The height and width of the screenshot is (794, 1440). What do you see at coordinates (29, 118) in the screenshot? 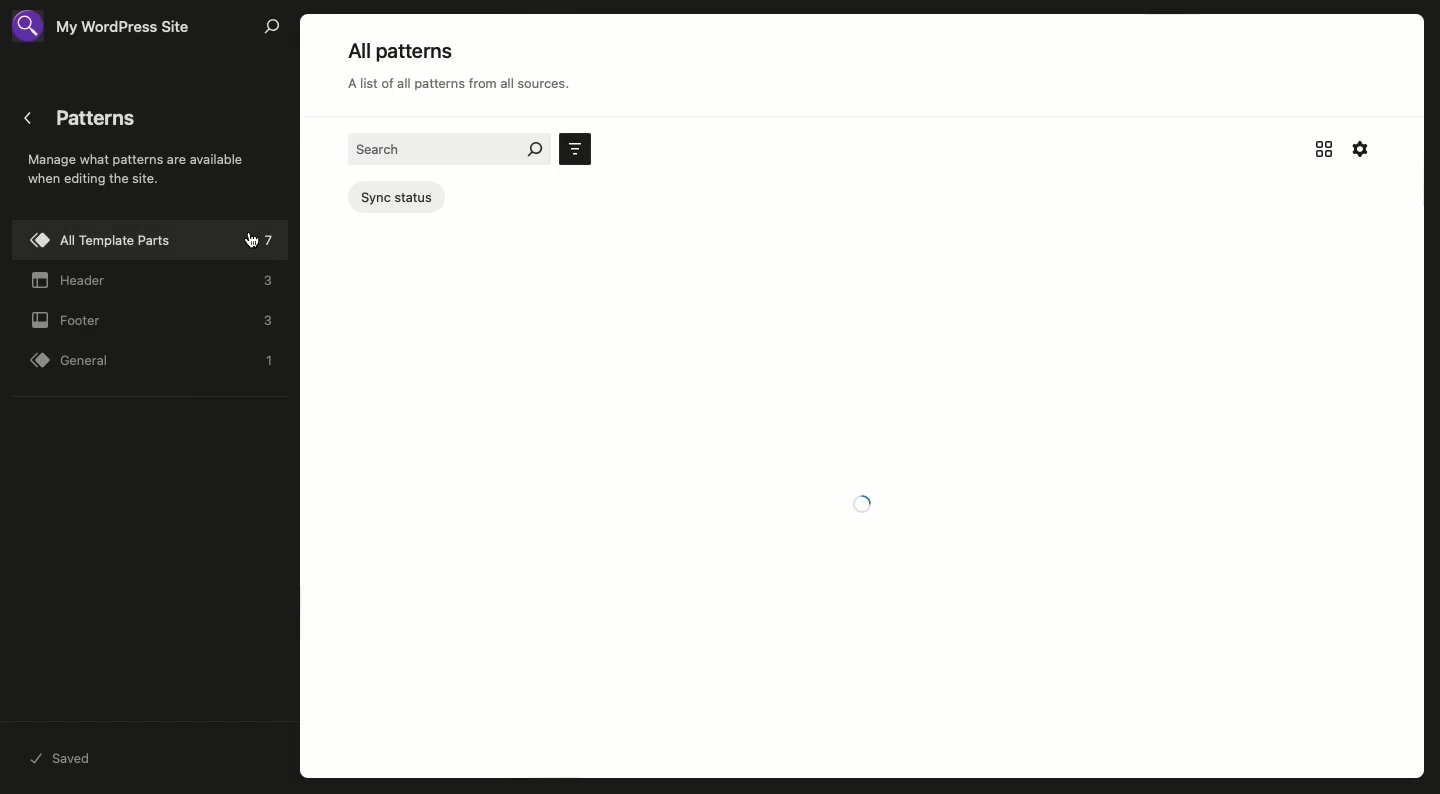
I see `Back` at bounding box center [29, 118].